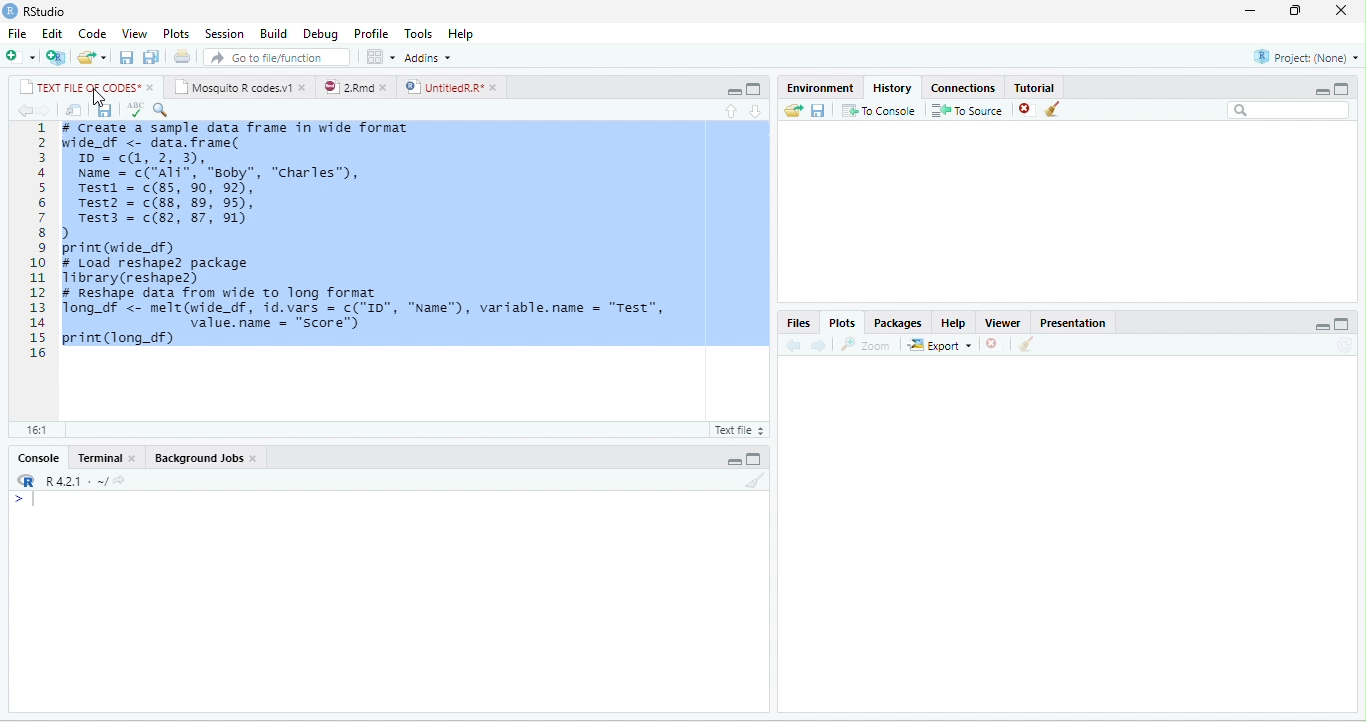 Image resolution: width=1366 pixels, height=722 pixels. I want to click on UntitledR.R, so click(443, 87).